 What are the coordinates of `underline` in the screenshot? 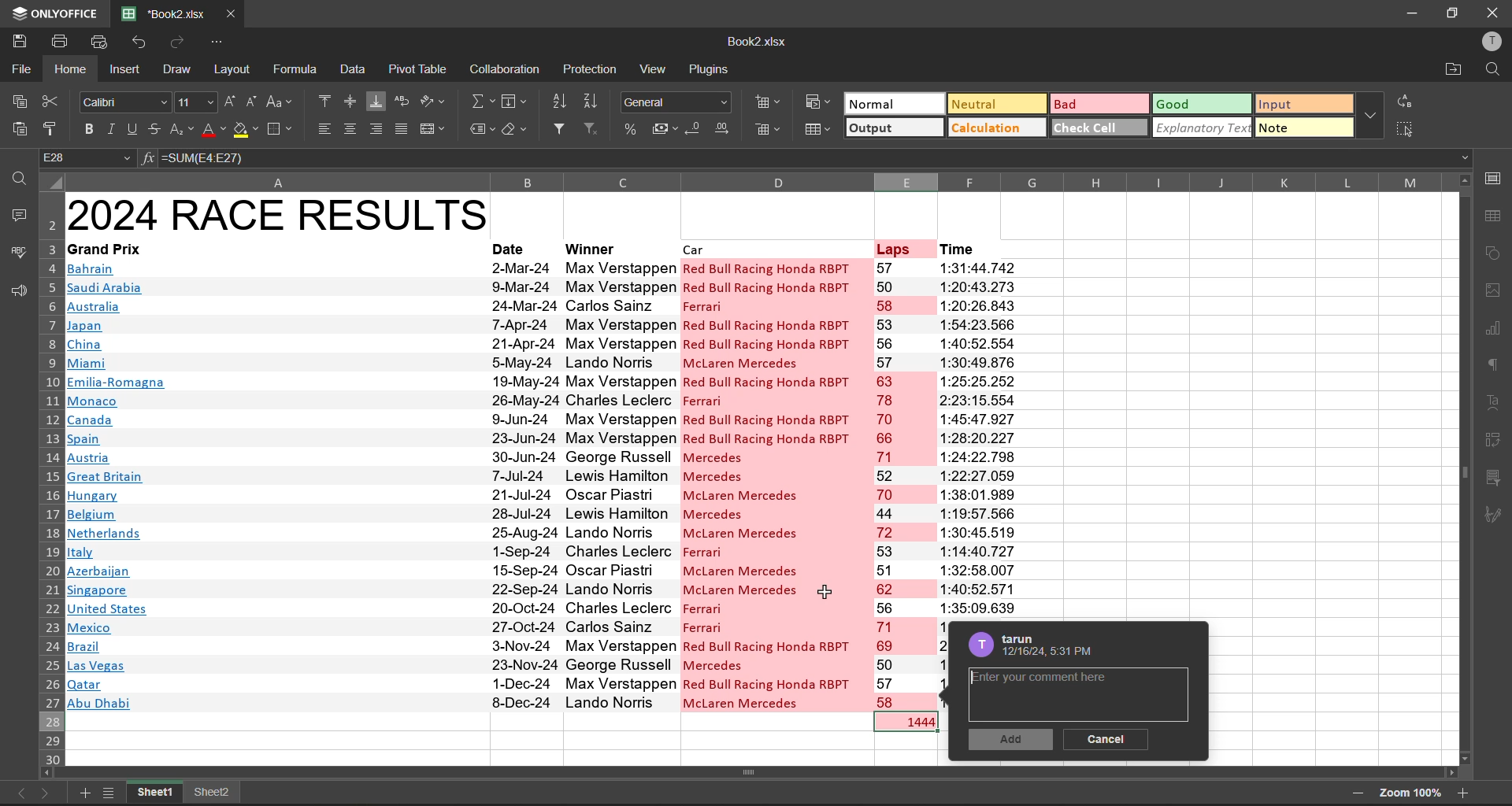 It's located at (133, 128).